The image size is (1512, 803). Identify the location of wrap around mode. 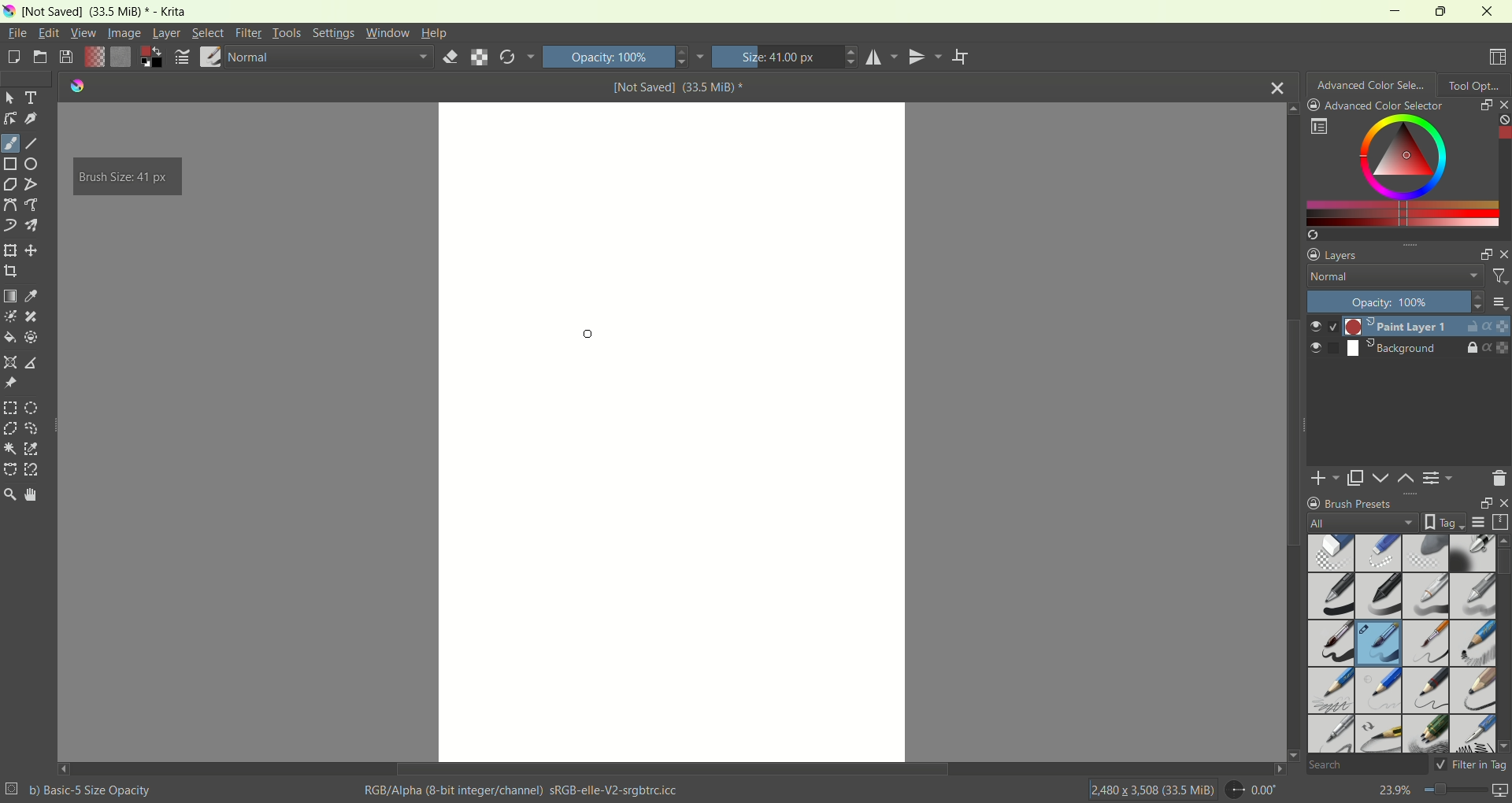
(962, 57).